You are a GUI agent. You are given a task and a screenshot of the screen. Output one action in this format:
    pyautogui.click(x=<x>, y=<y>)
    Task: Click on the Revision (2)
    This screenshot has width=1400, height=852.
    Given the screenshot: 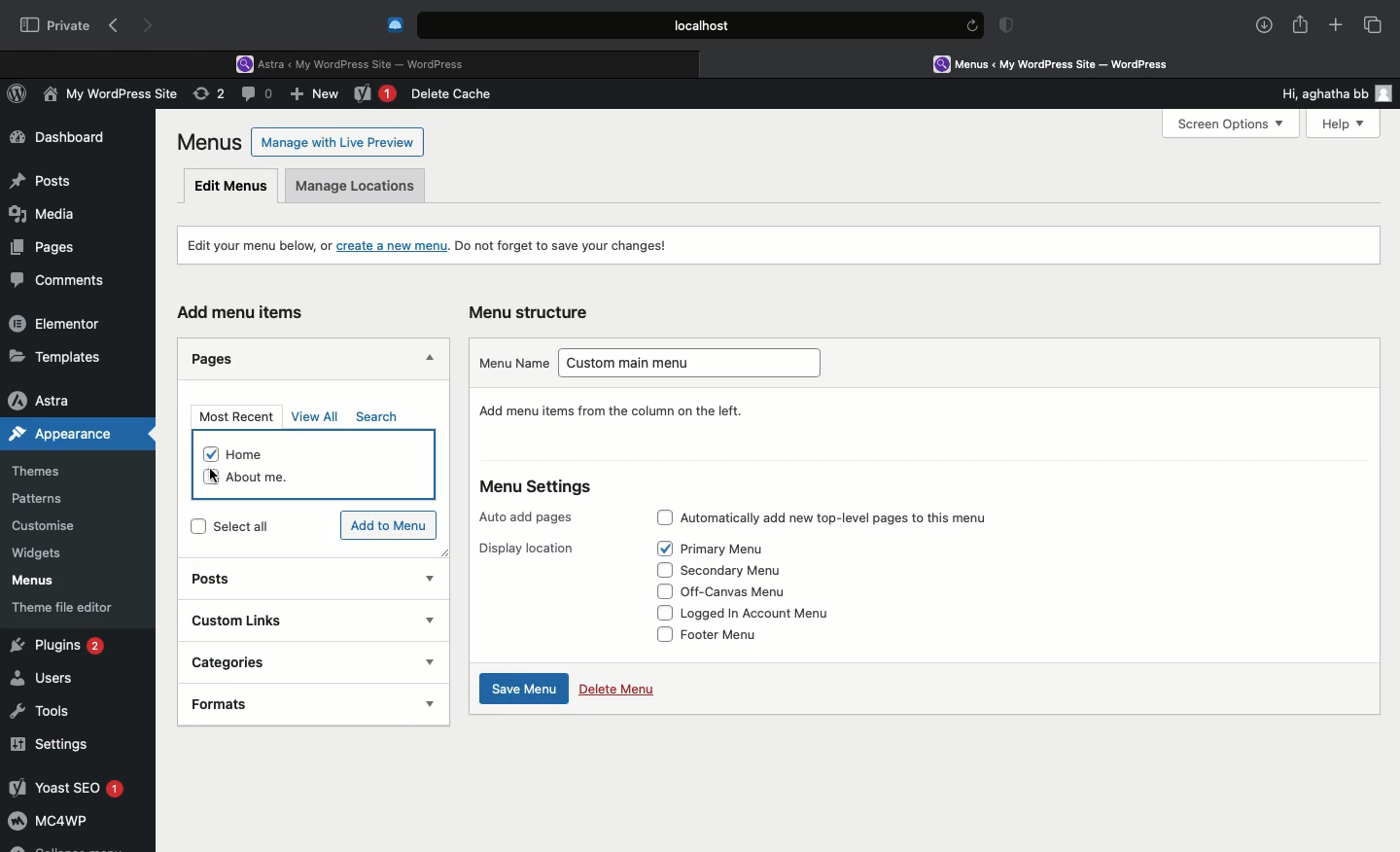 What is the action you would take?
    pyautogui.click(x=206, y=96)
    